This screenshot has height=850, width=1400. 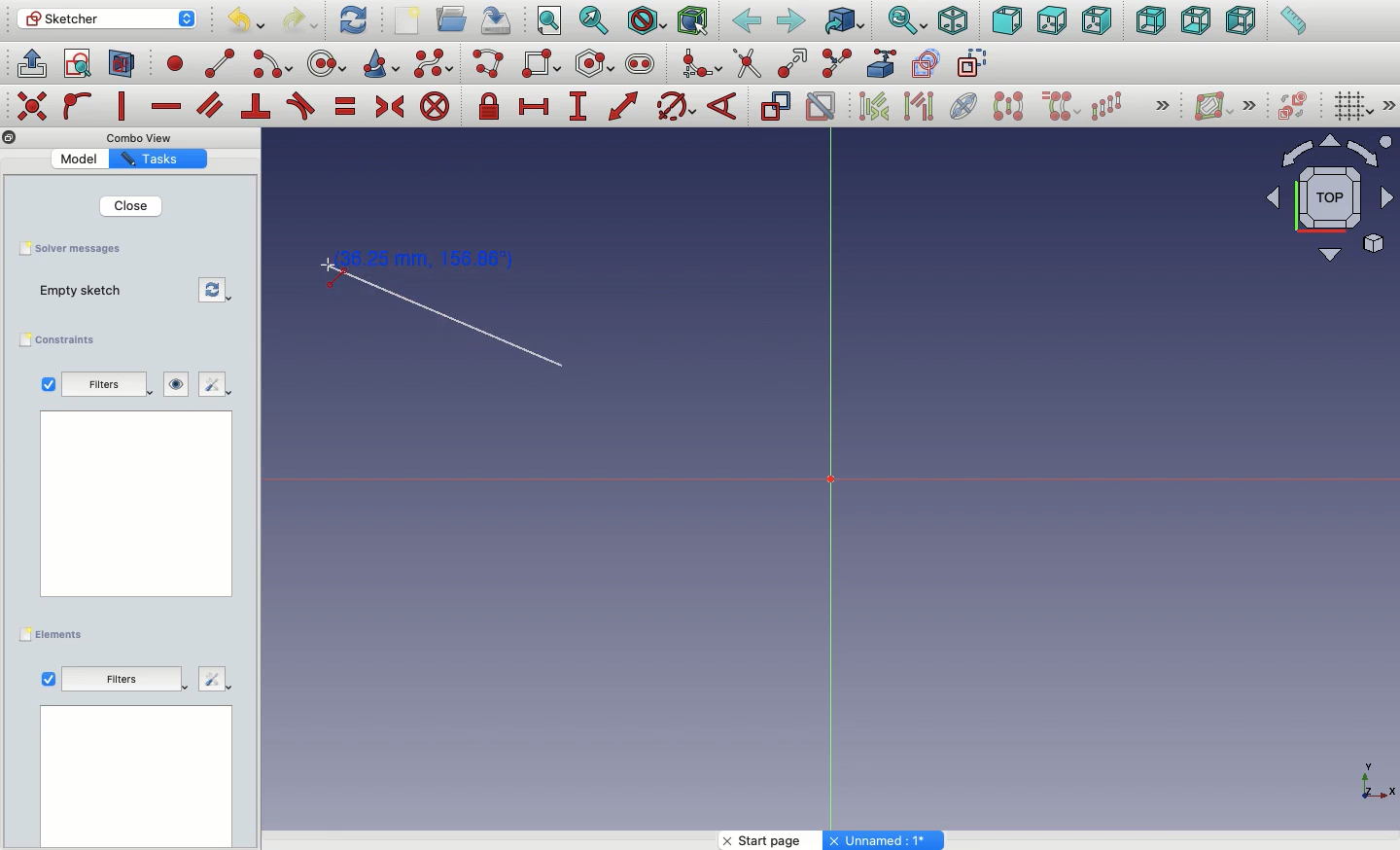 What do you see at coordinates (1294, 106) in the screenshot?
I see `Switch virtual place` at bounding box center [1294, 106].